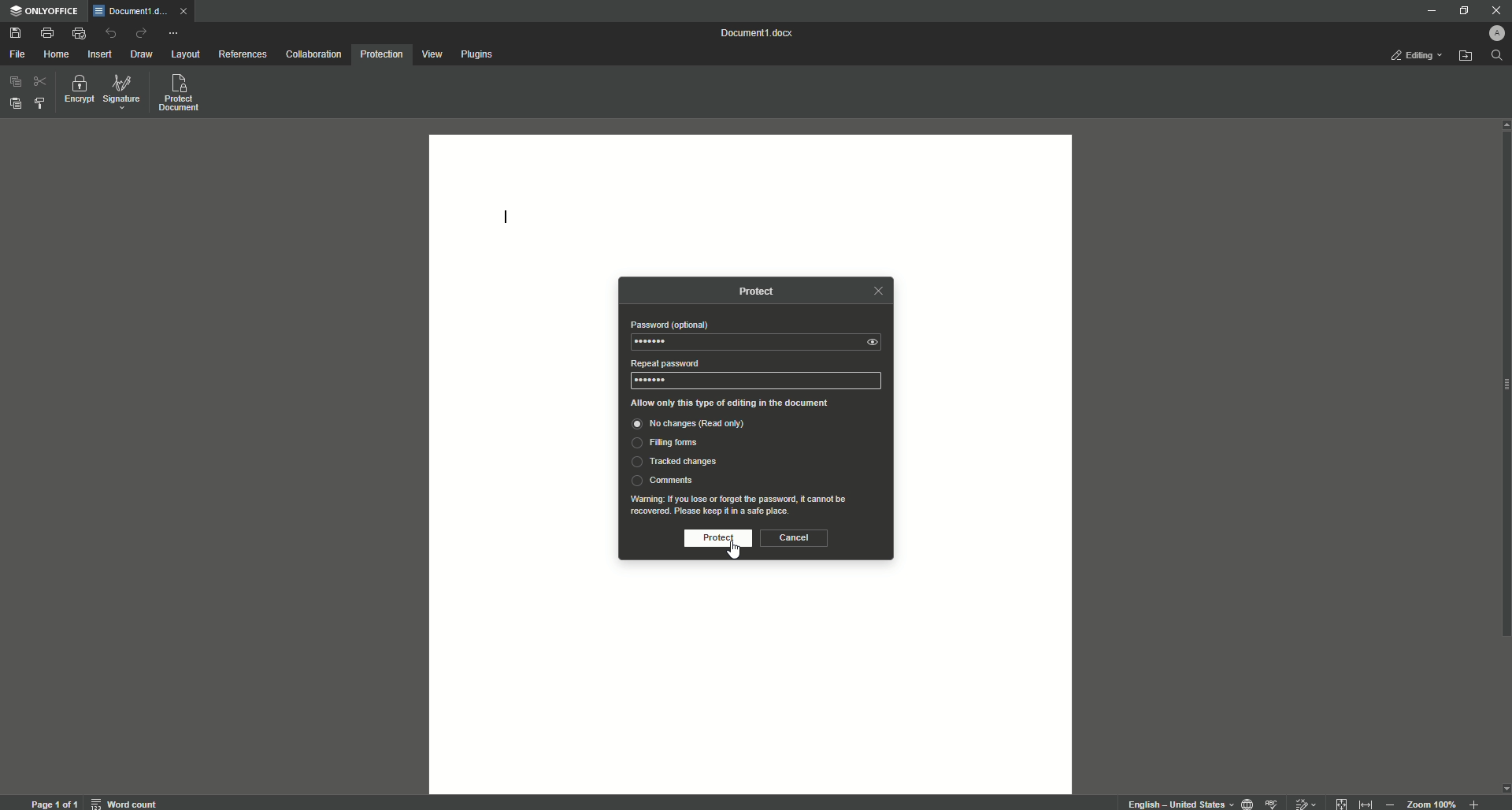  What do you see at coordinates (650, 381) in the screenshot?
I see `Repeated password` at bounding box center [650, 381].